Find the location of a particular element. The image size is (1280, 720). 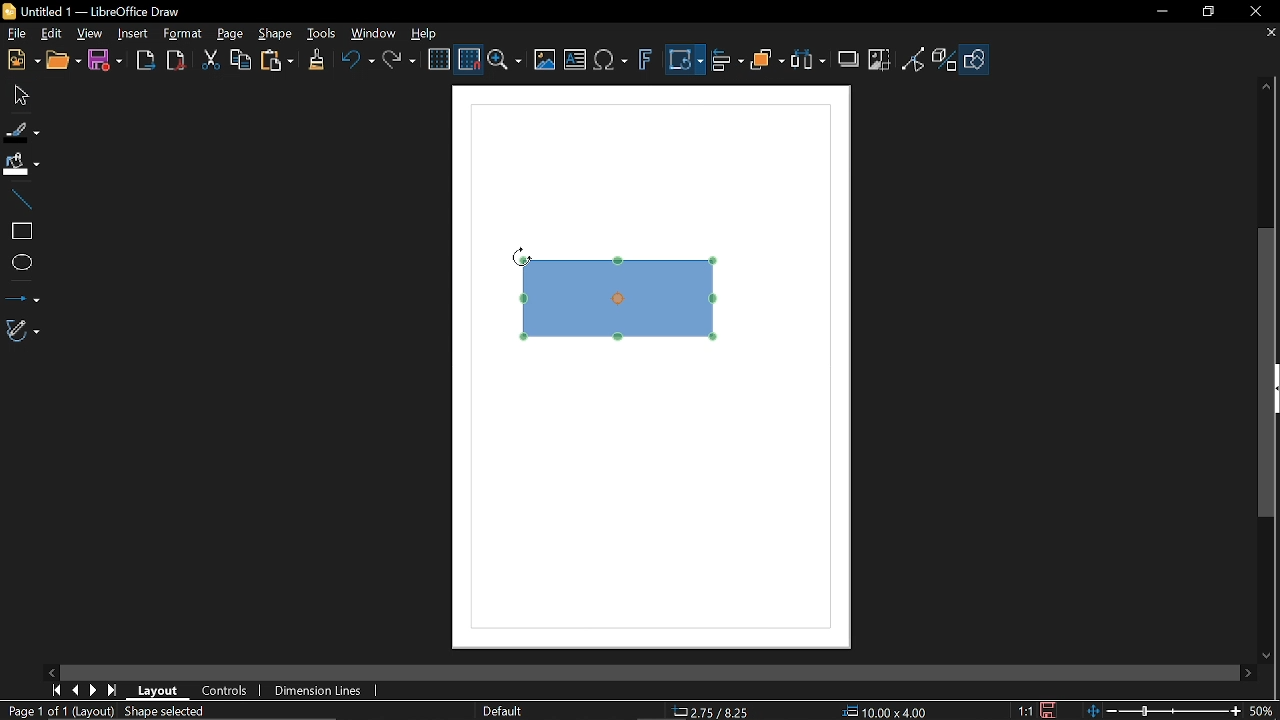

Dimension lines is located at coordinates (322, 692).